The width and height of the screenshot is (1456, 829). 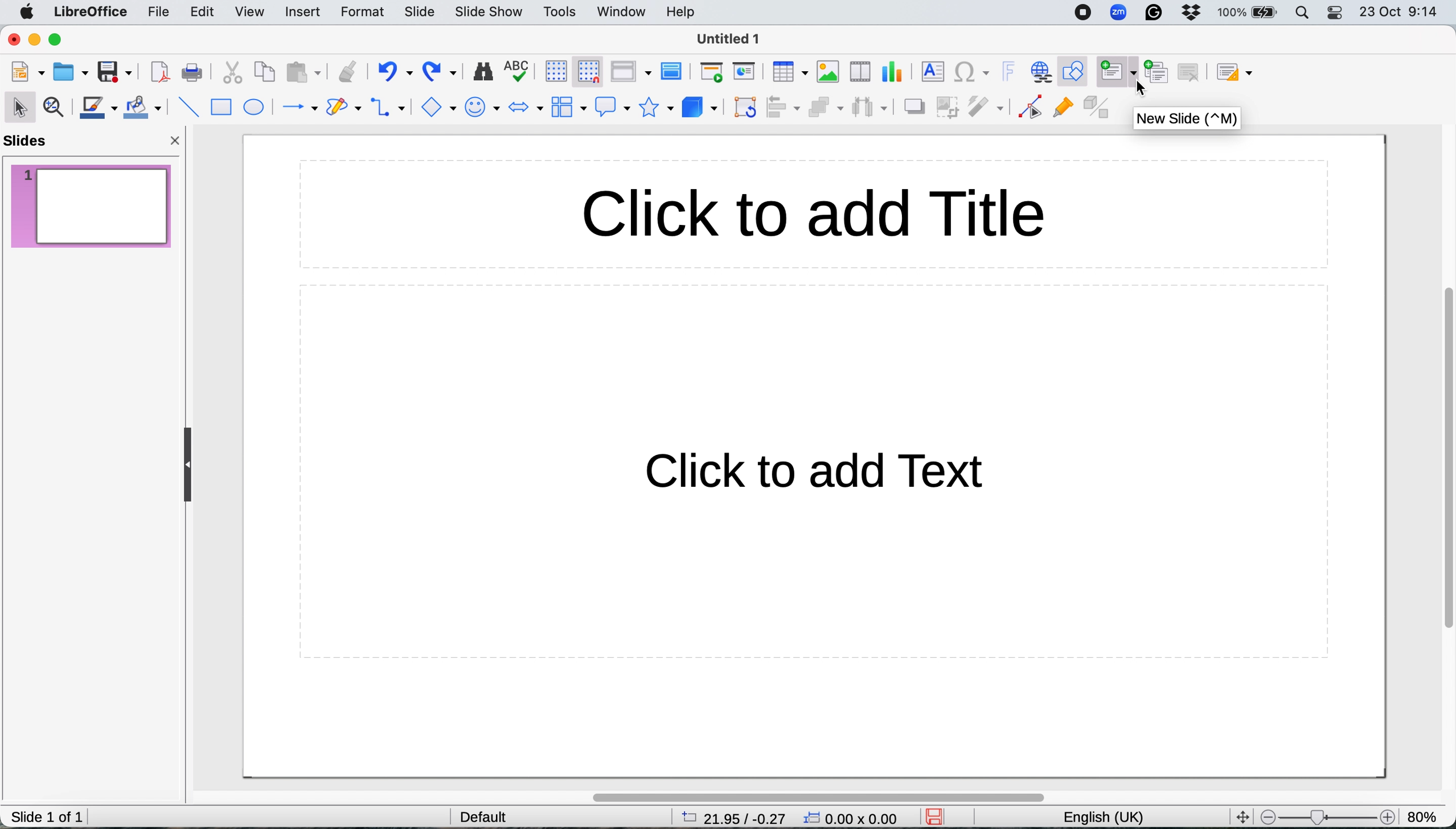 I want to click on master slide, so click(x=674, y=72).